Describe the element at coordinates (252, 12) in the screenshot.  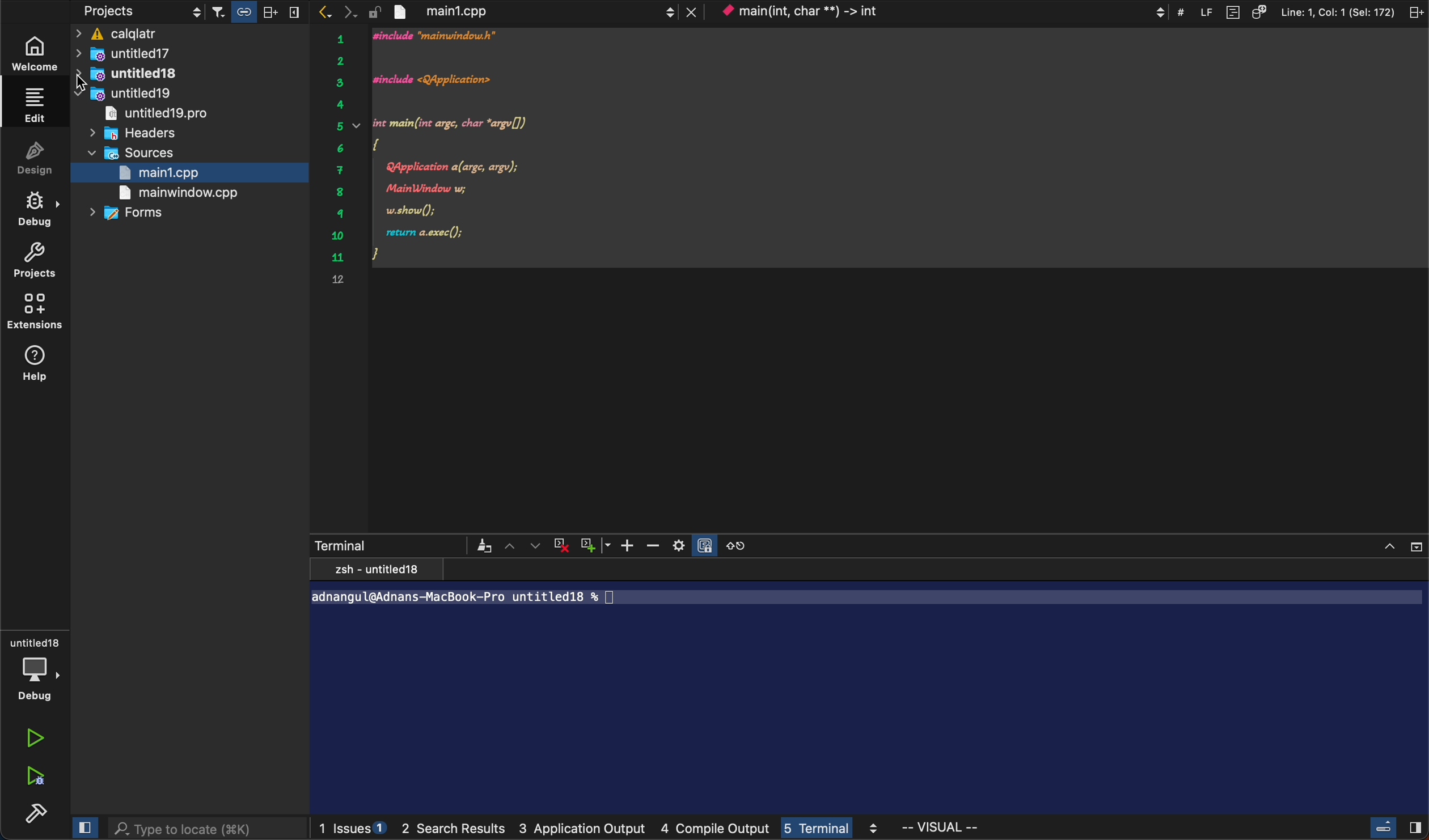
I see `filter` at that location.